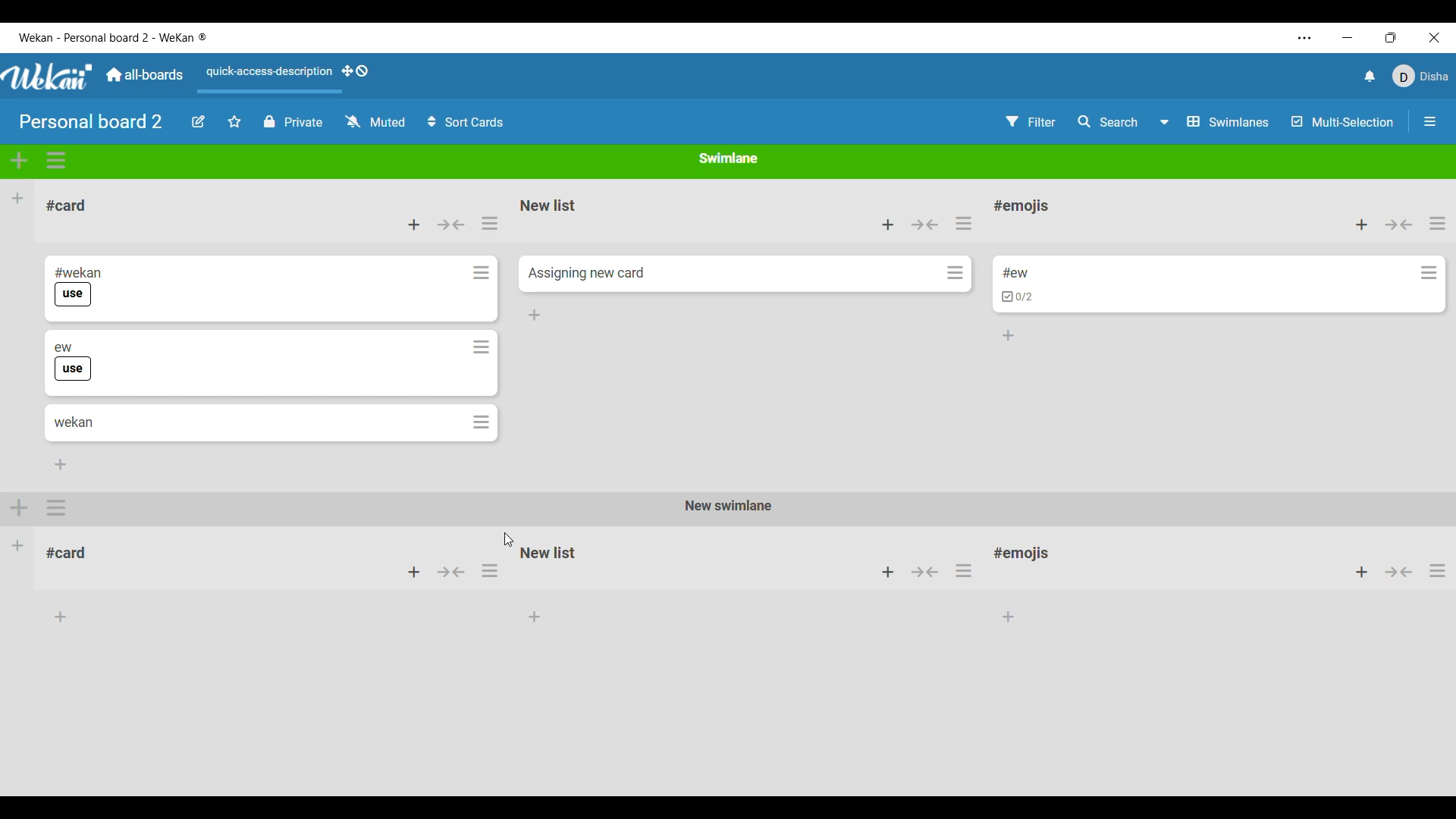 This screenshot has width=1456, height=819. Describe the element at coordinates (516, 541) in the screenshot. I see `cursor` at that location.